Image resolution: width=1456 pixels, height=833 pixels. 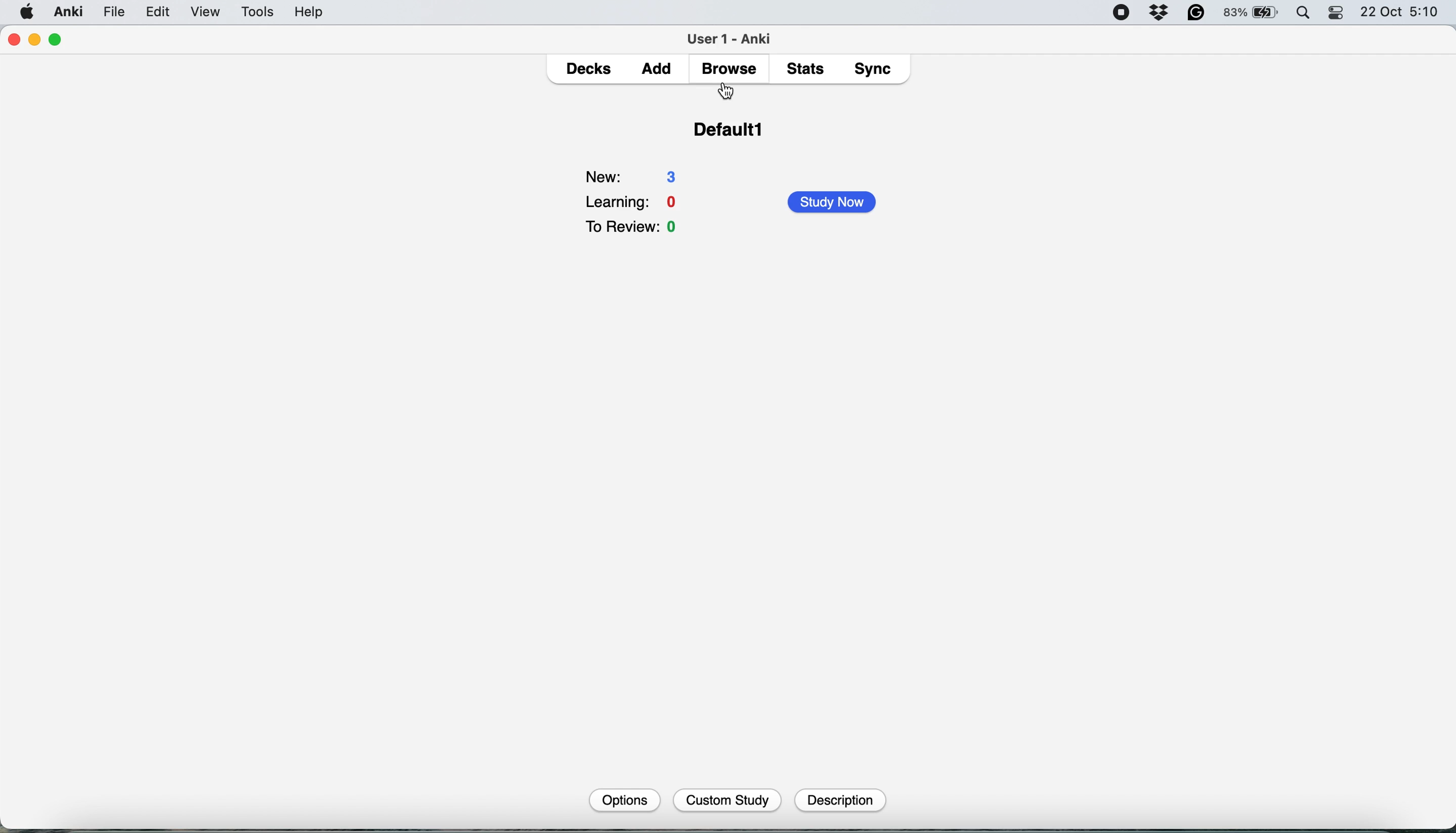 What do you see at coordinates (634, 228) in the screenshot?
I see `To Review: 0` at bounding box center [634, 228].